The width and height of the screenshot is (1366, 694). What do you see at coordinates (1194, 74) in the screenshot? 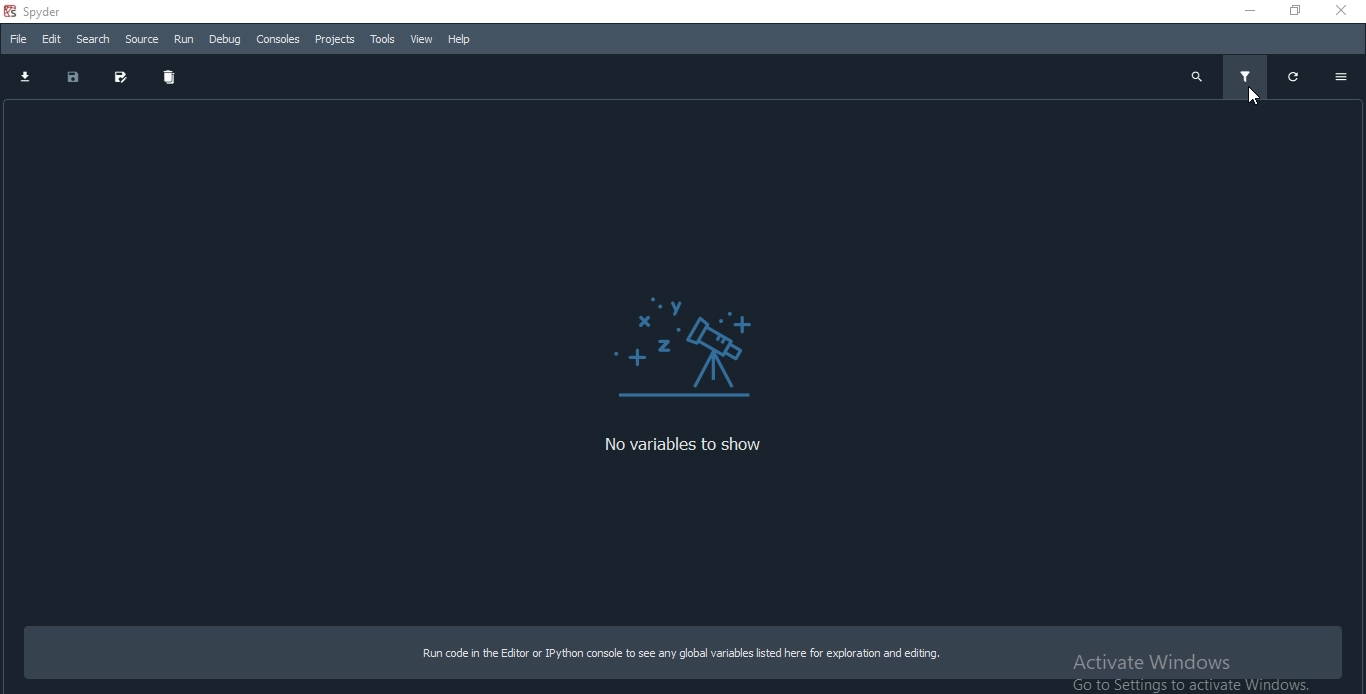
I see `search` at bounding box center [1194, 74].